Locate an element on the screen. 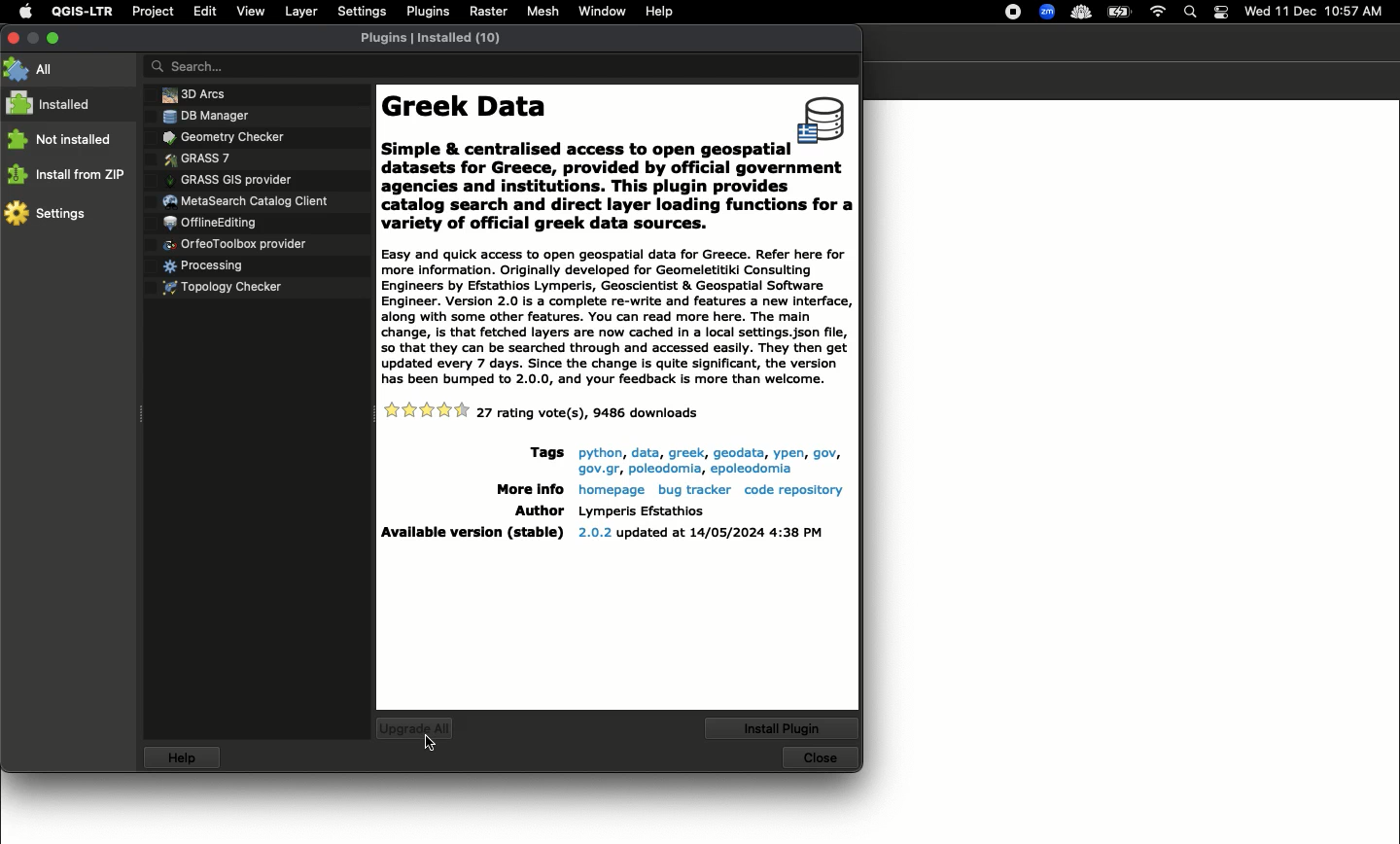  tezt is located at coordinates (641, 510).